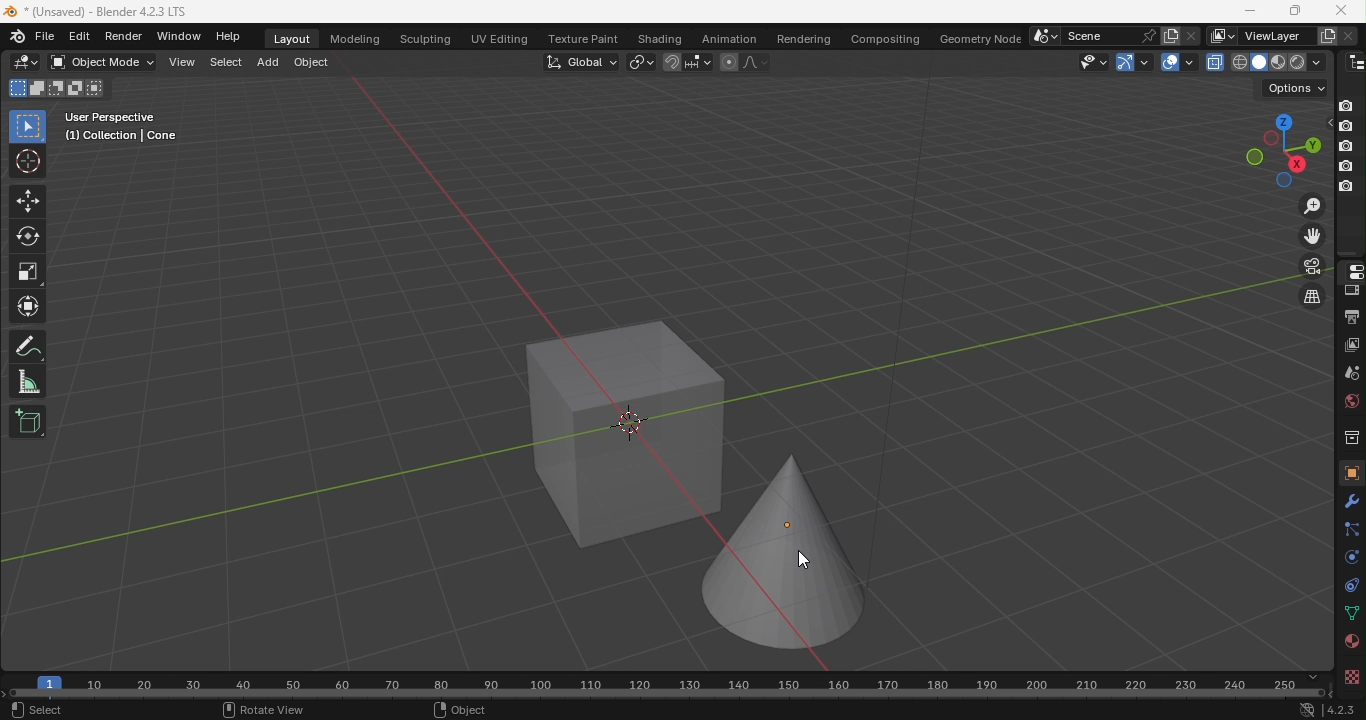  What do you see at coordinates (1311, 205) in the screenshot?
I see `Zoon in or out in the view` at bounding box center [1311, 205].